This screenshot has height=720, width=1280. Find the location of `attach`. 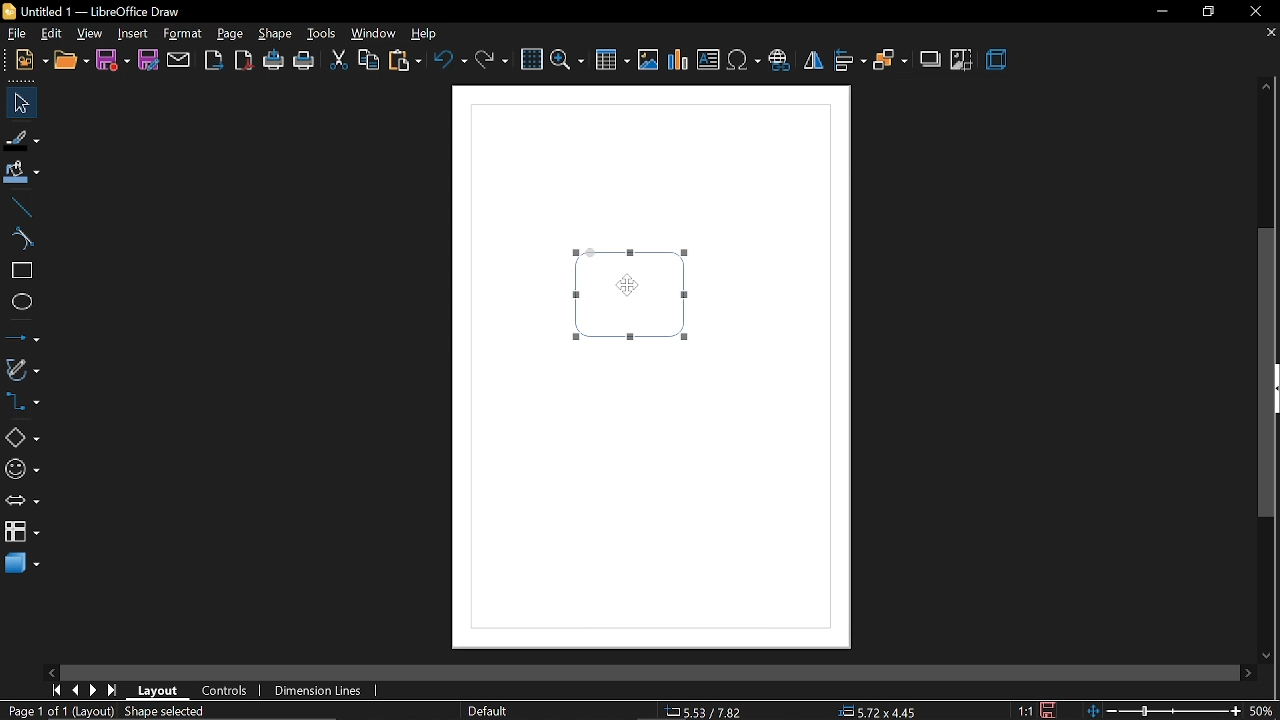

attach is located at coordinates (178, 61).